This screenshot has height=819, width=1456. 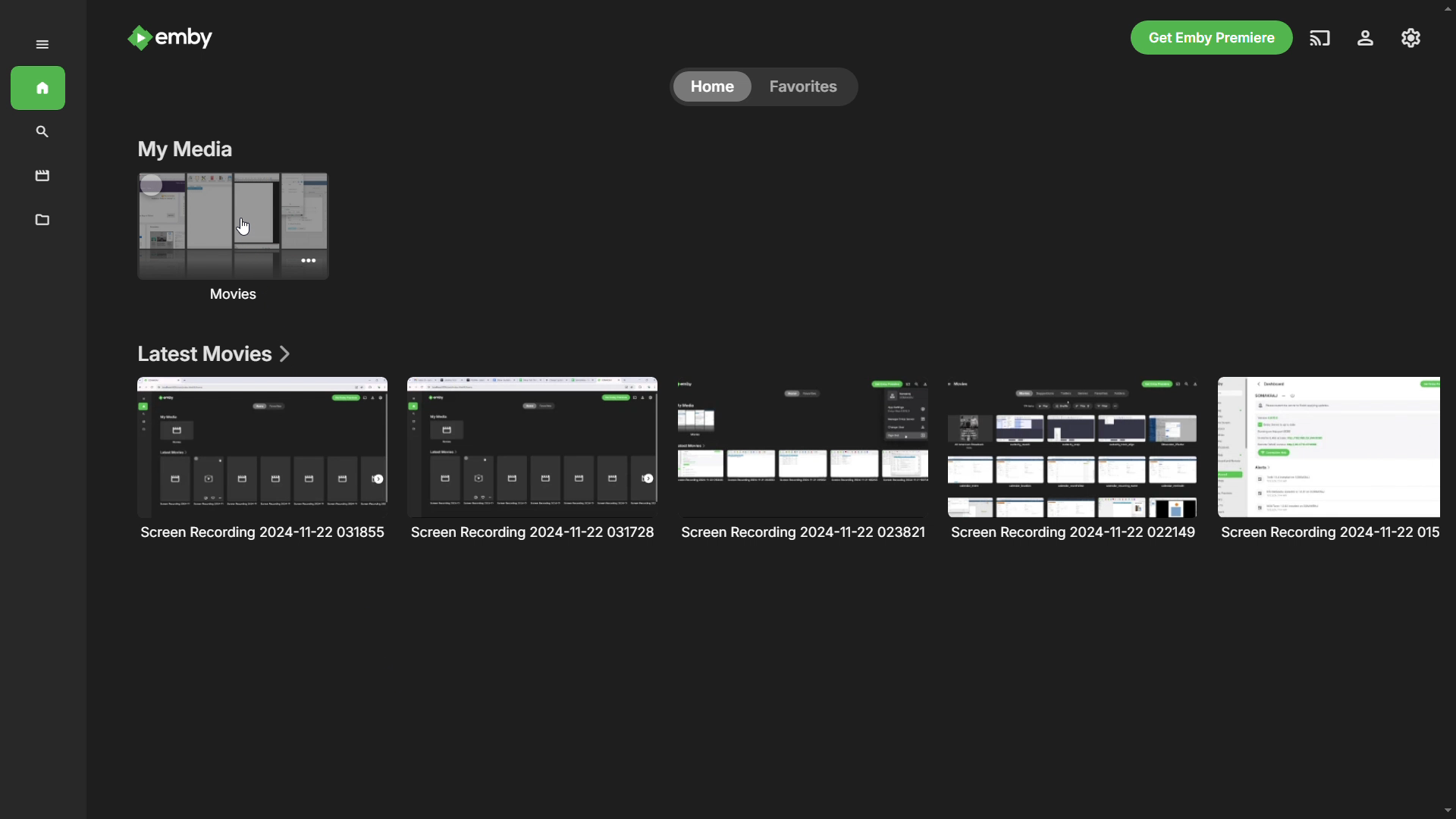 I want to click on multi-select, so click(x=151, y=186).